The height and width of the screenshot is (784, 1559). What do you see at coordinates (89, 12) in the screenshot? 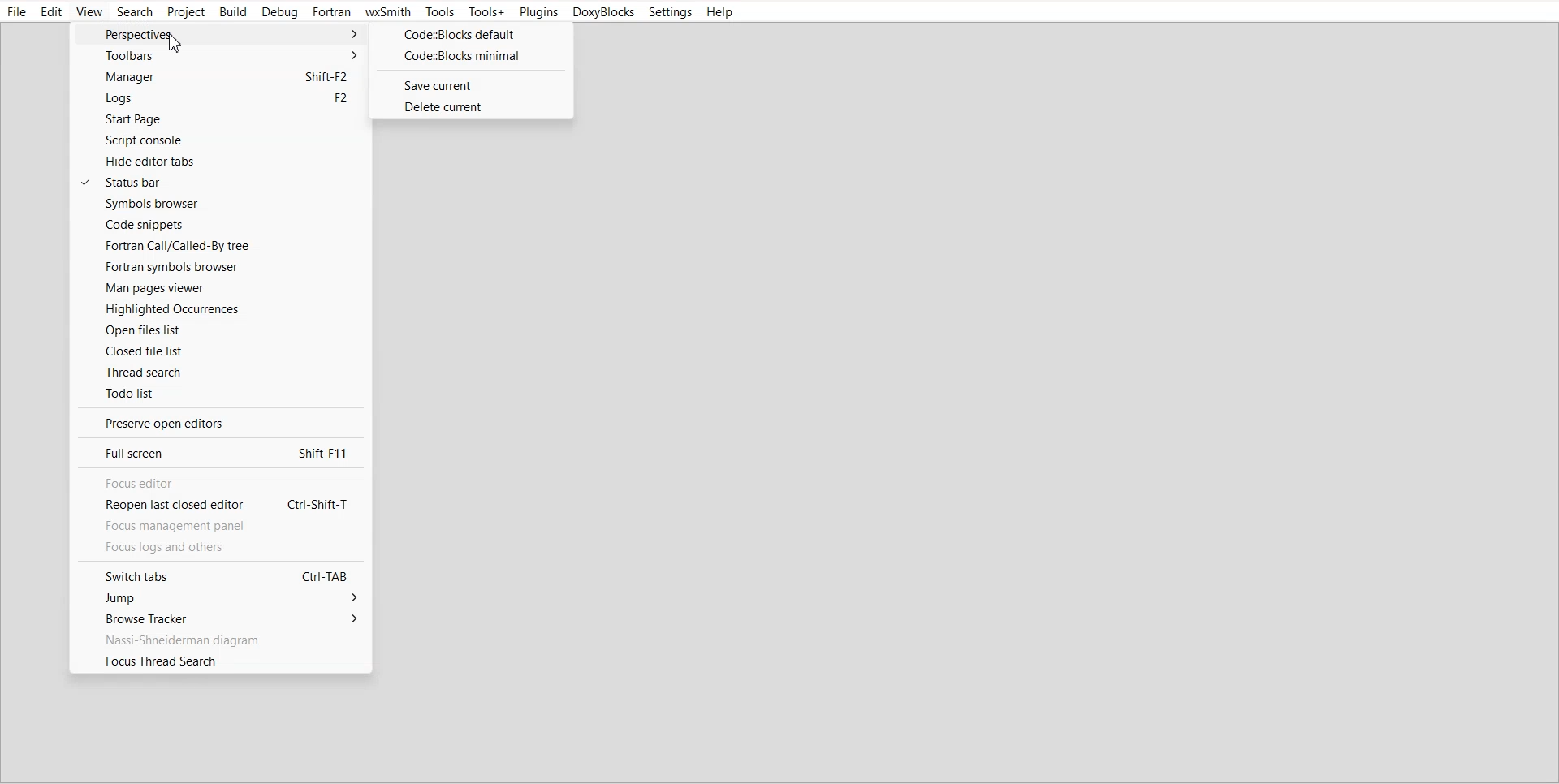
I see `View` at bounding box center [89, 12].